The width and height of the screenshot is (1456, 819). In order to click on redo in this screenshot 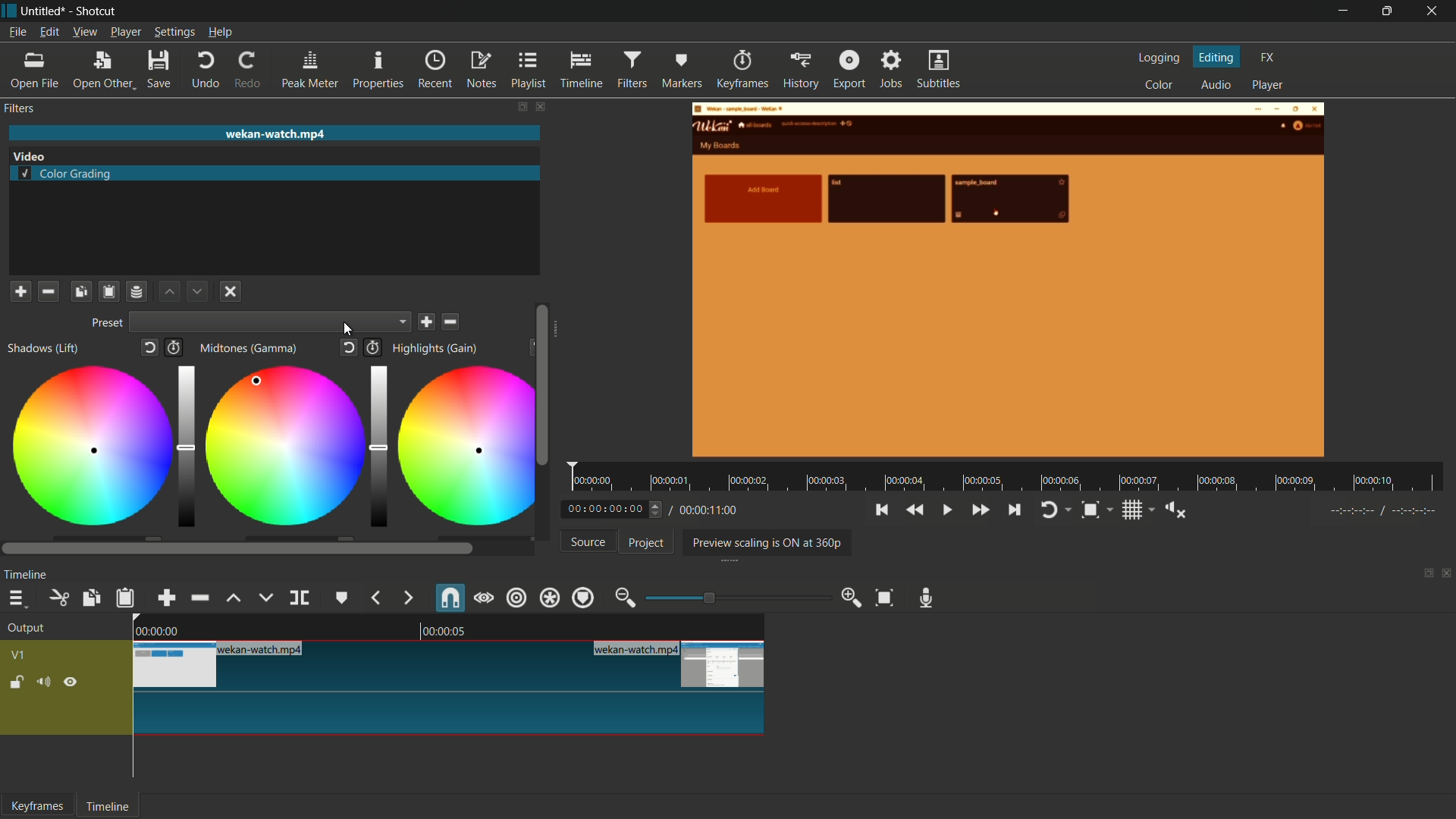, I will do `click(250, 70)`.